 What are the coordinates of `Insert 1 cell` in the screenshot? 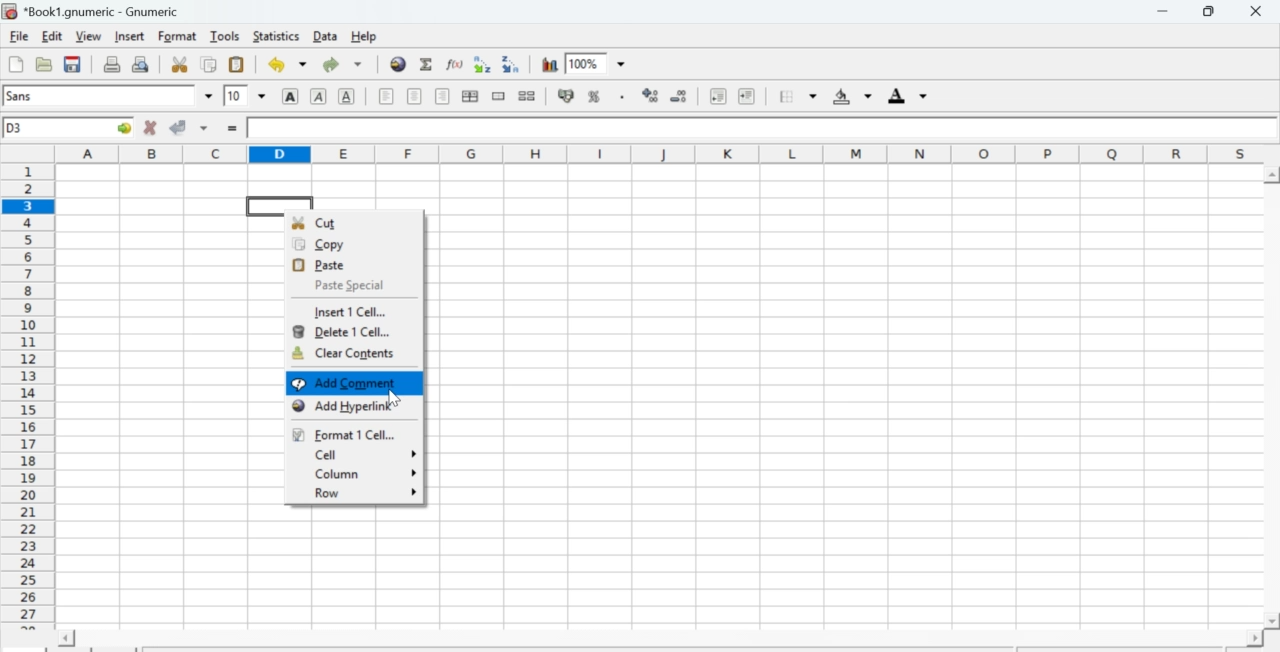 It's located at (353, 313).